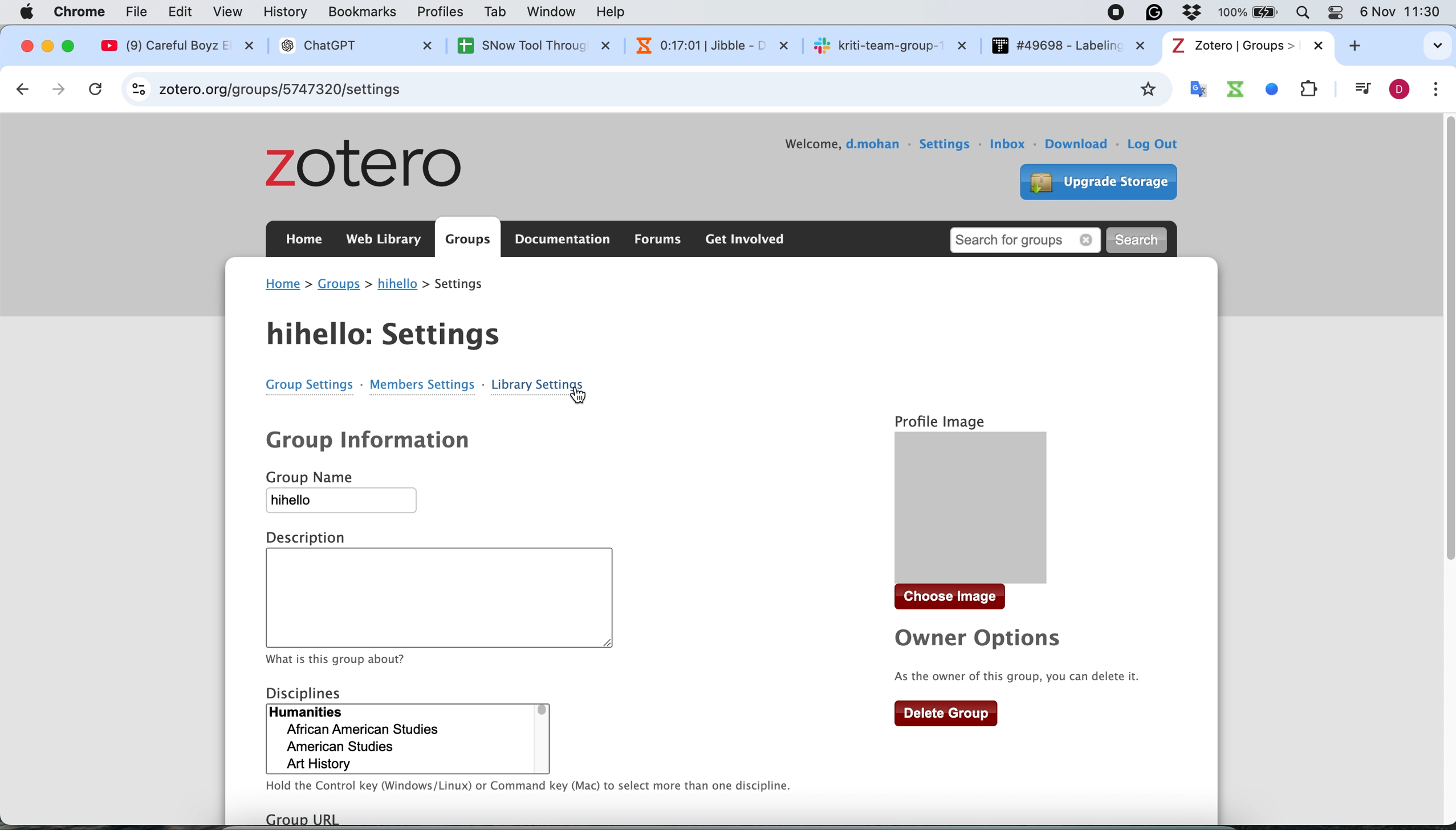  What do you see at coordinates (61, 89) in the screenshot?
I see `go forward` at bounding box center [61, 89].